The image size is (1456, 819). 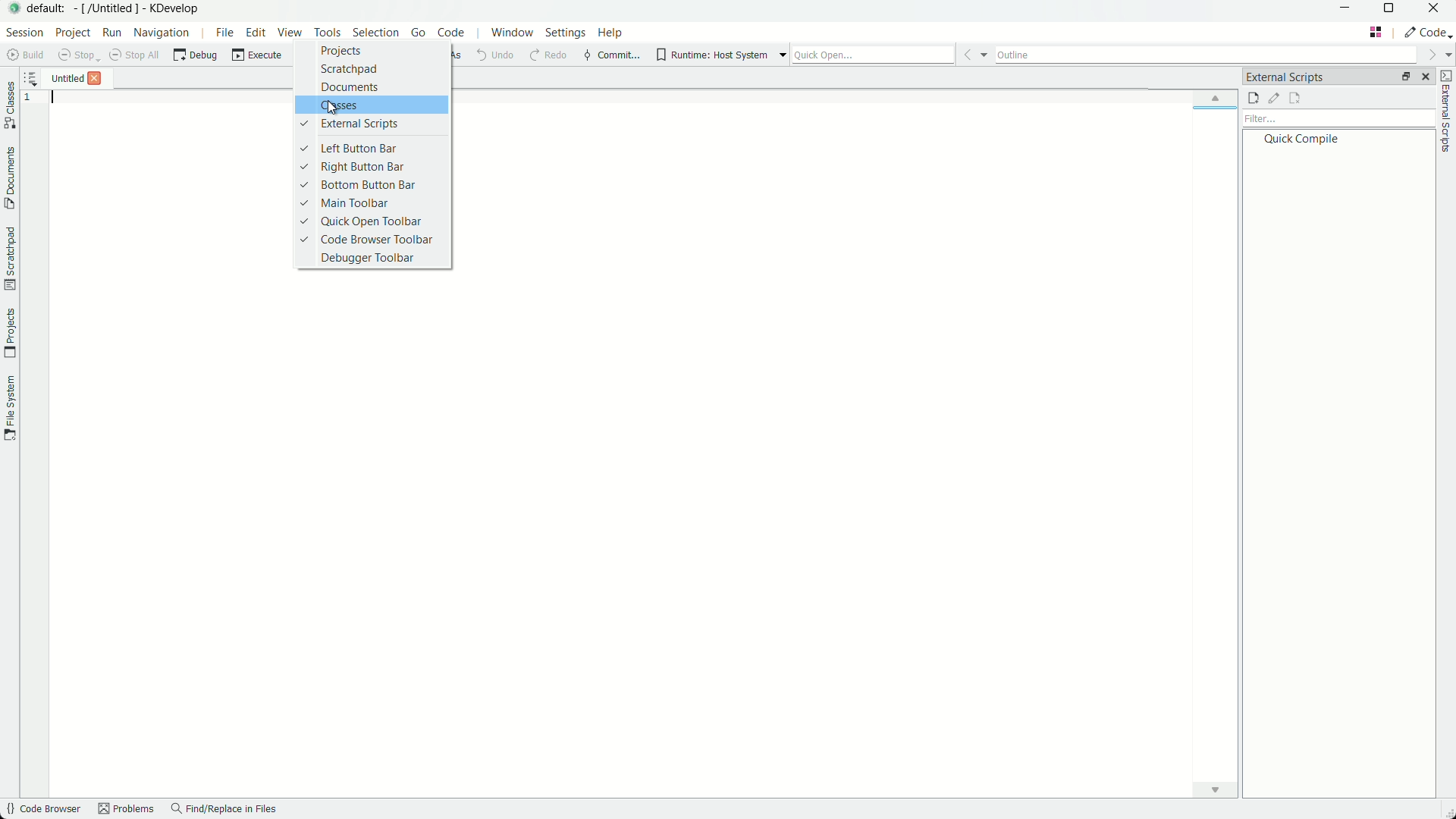 I want to click on external scripts, so click(x=374, y=127).